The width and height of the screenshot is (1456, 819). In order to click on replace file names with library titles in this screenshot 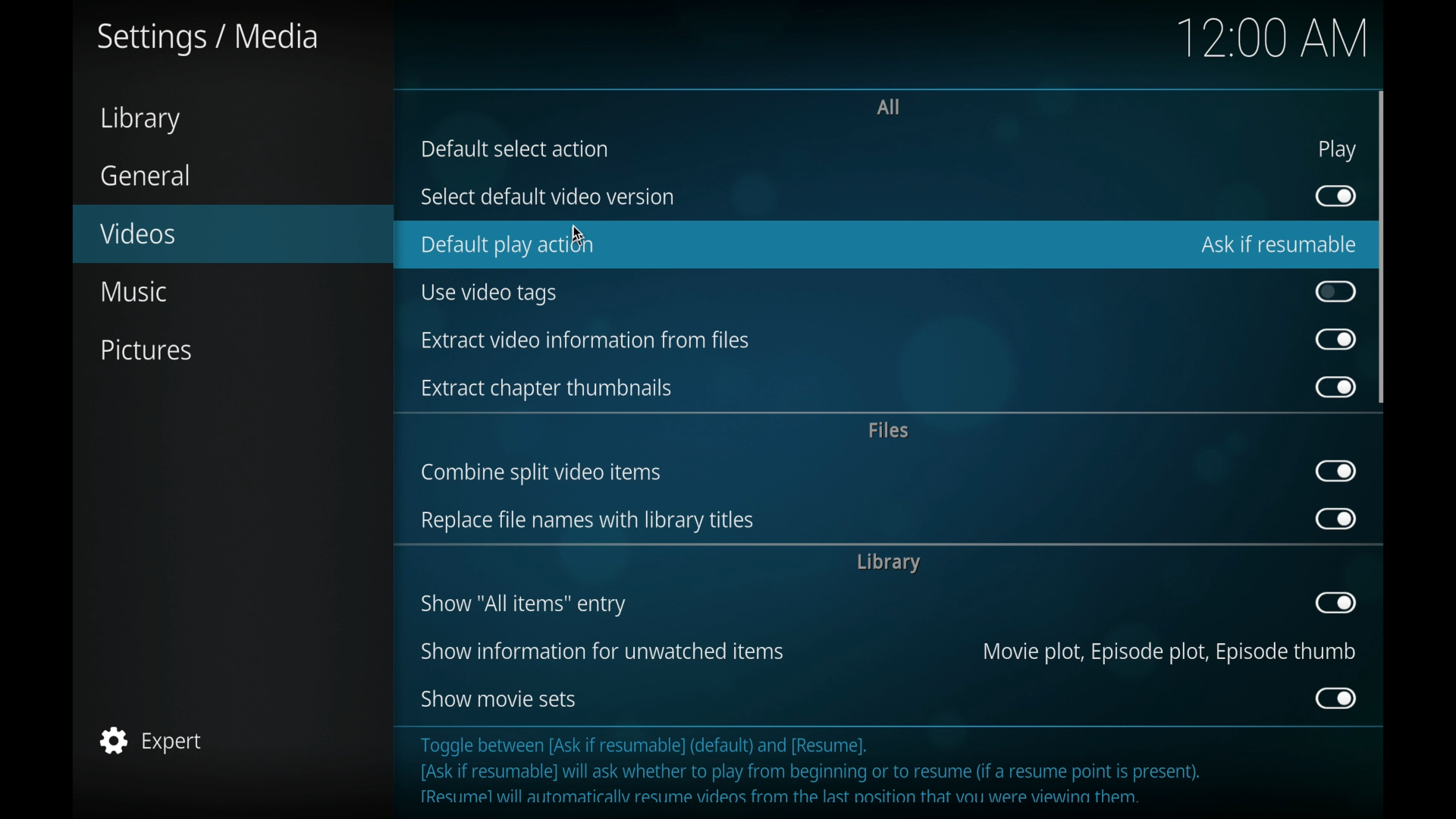, I will do `click(587, 522)`.